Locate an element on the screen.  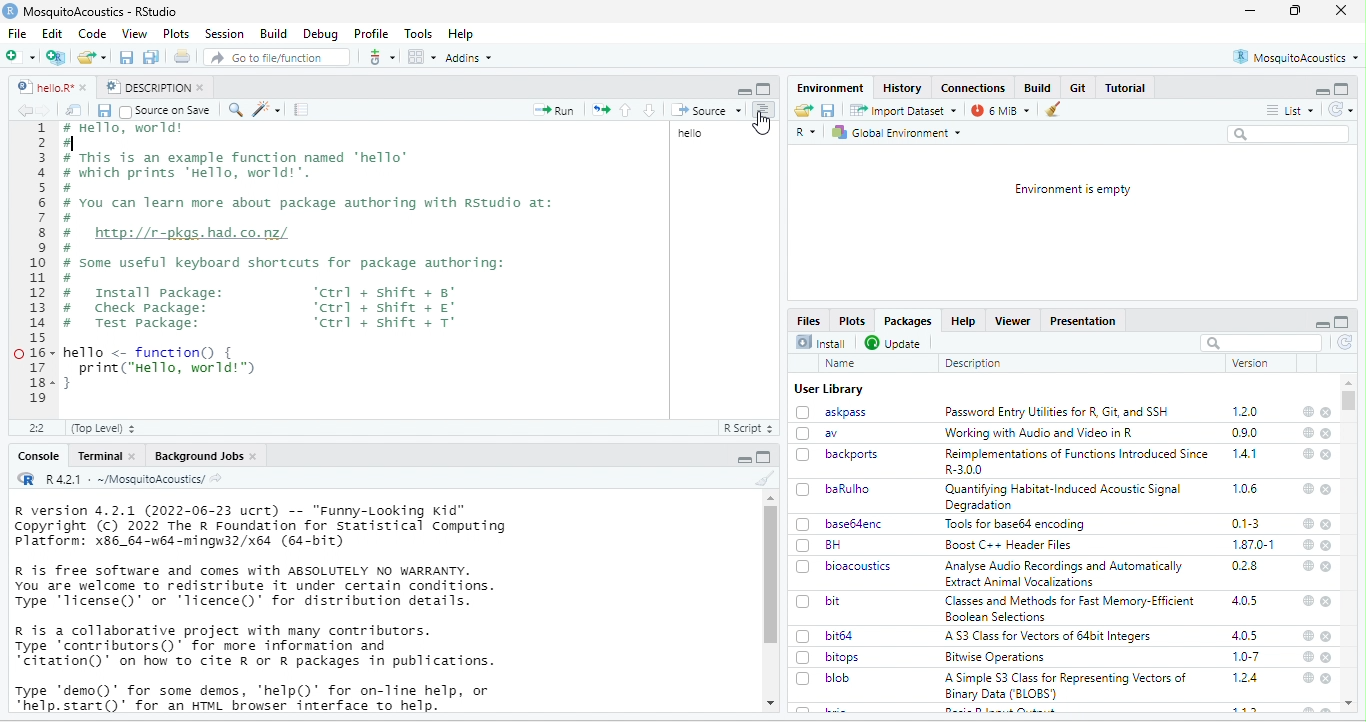
cursor is located at coordinates (762, 124).